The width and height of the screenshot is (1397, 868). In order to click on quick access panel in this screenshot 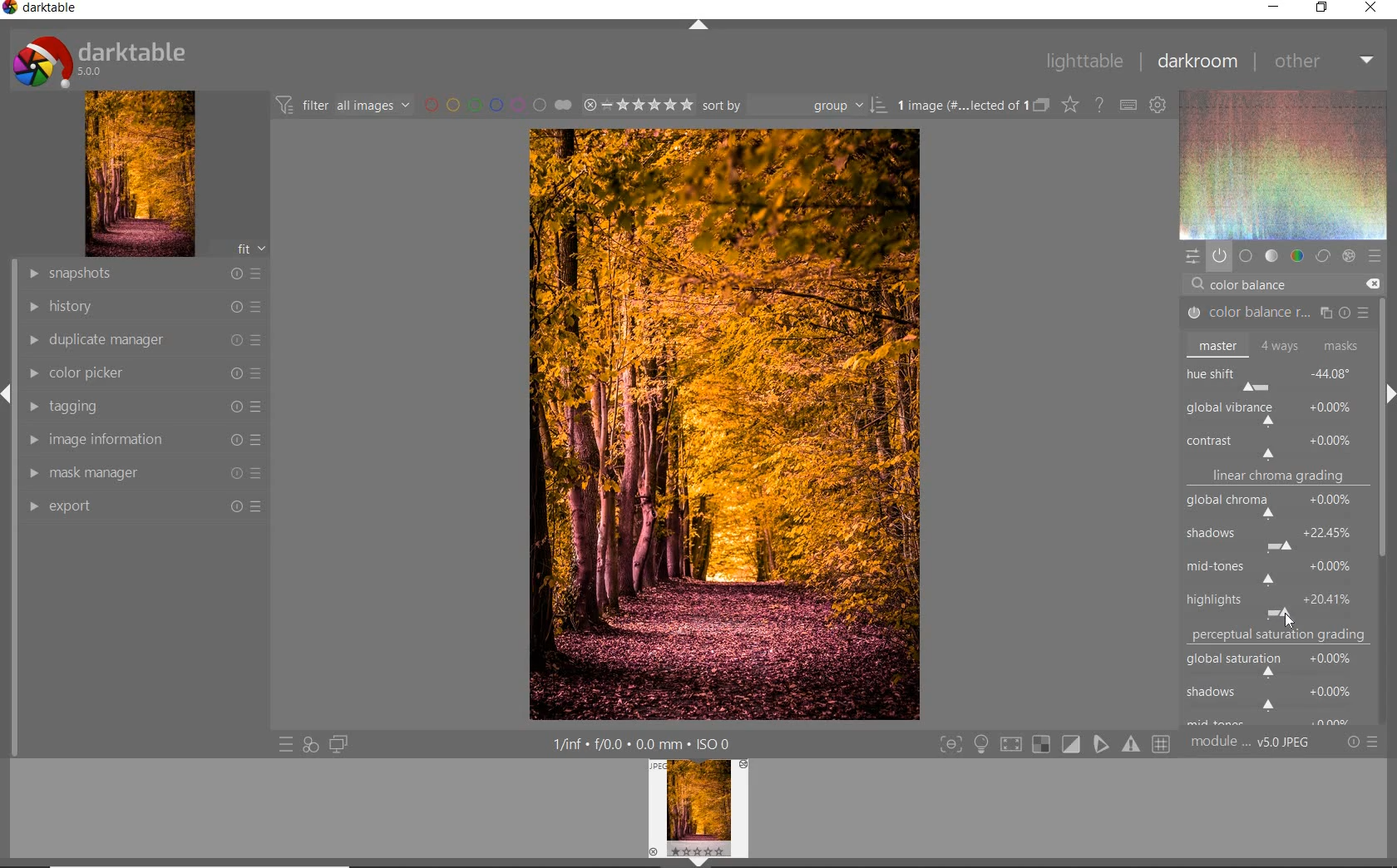, I will do `click(1190, 256)`.